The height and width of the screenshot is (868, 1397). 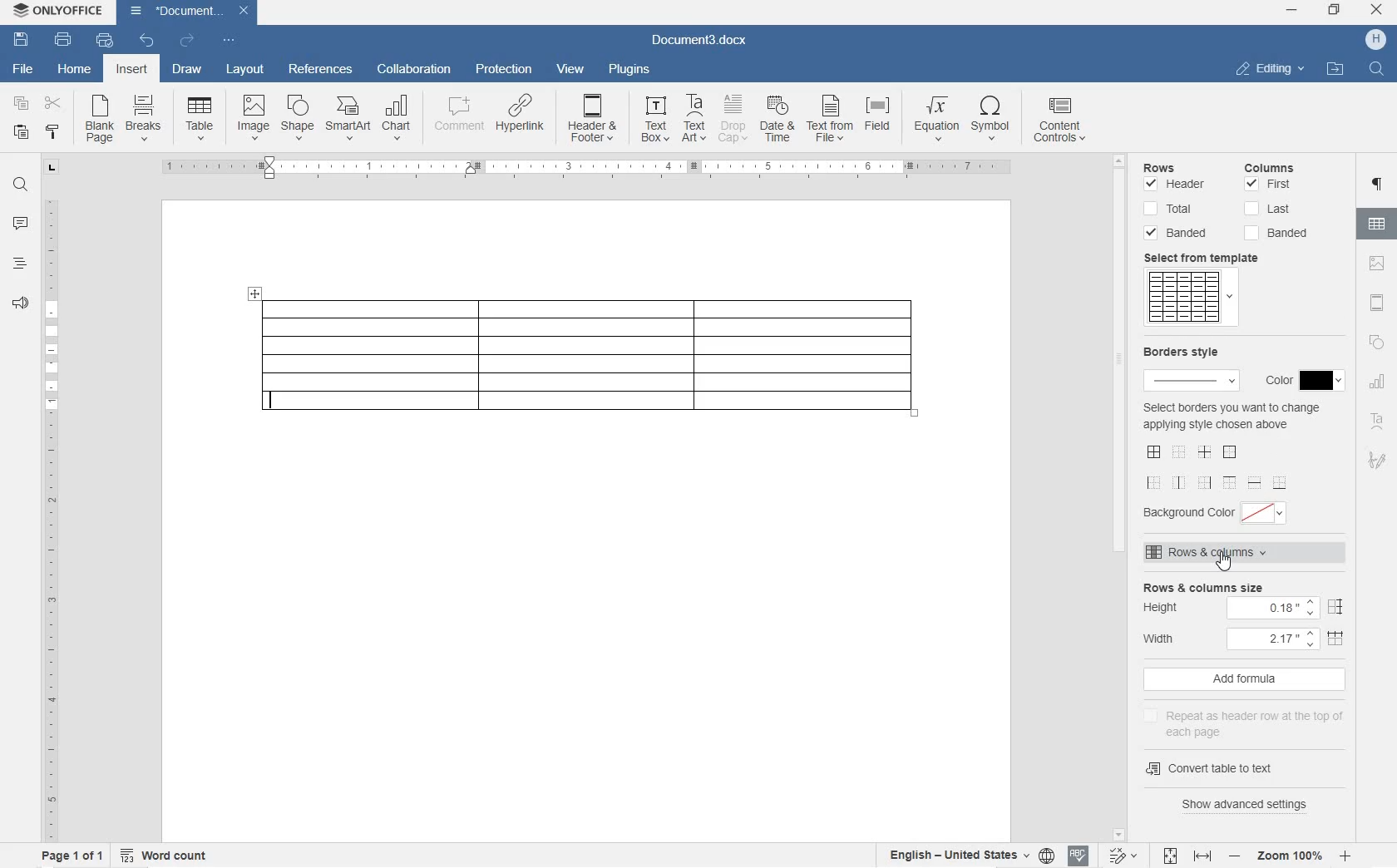 I want to click on DATE & TIME, so click(x=778, y=120).